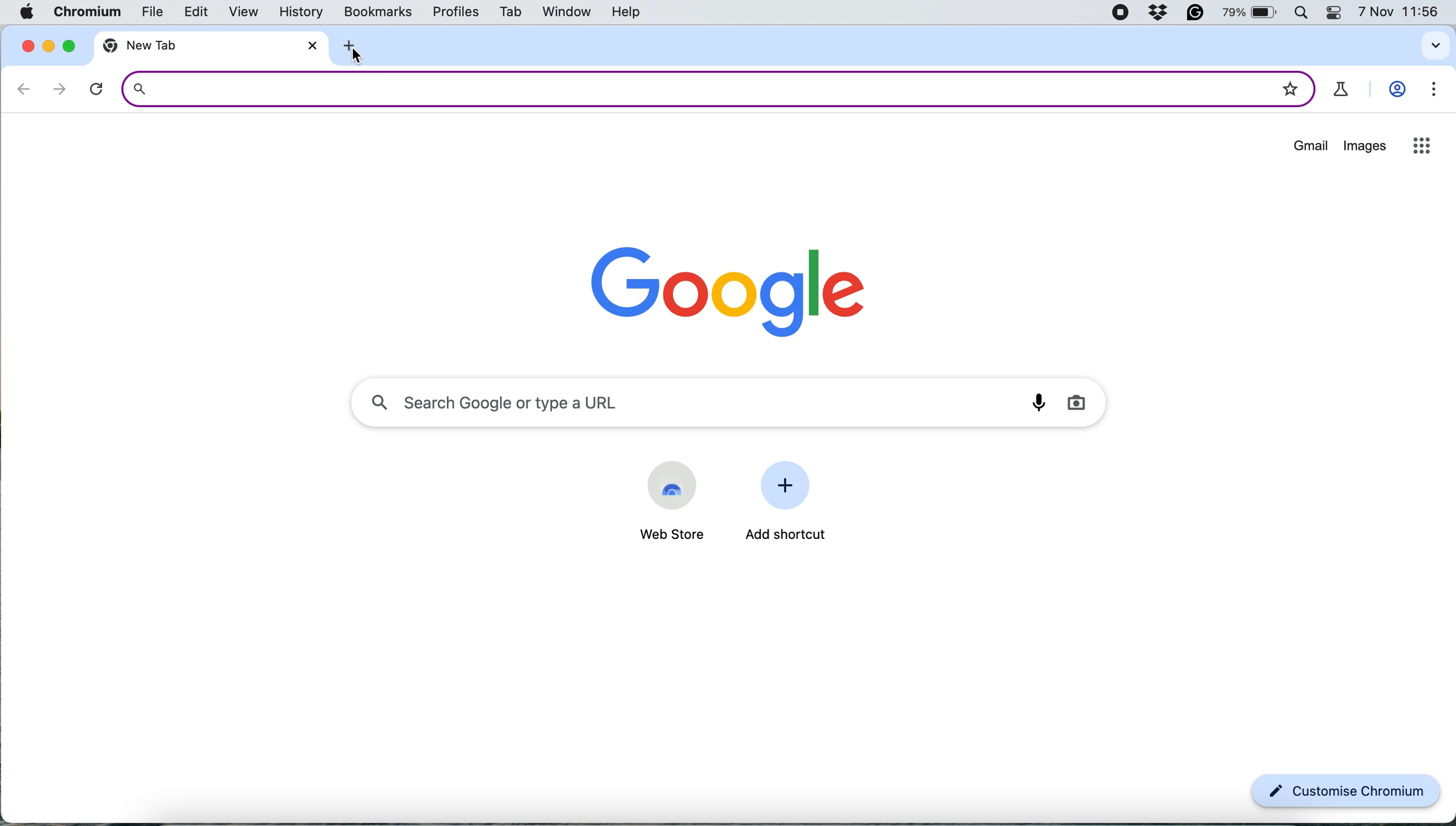 The width and height of the screenshot is (1456, 826). I want to click on search bar, so click(687, 88).